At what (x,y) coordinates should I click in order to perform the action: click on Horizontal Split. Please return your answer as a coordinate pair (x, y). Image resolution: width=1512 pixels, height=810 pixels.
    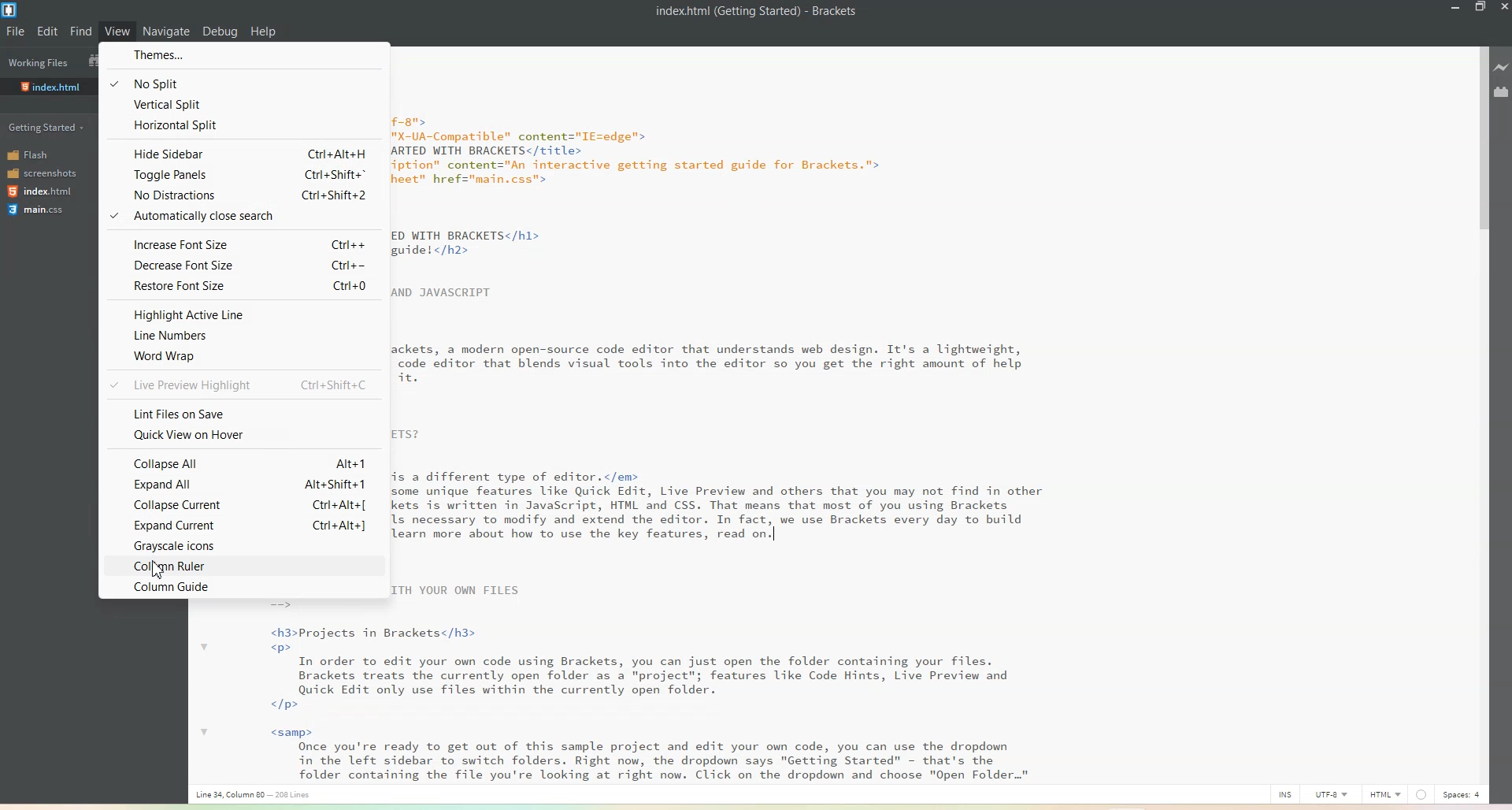
    Looking at the image, I should click on (243, 124).